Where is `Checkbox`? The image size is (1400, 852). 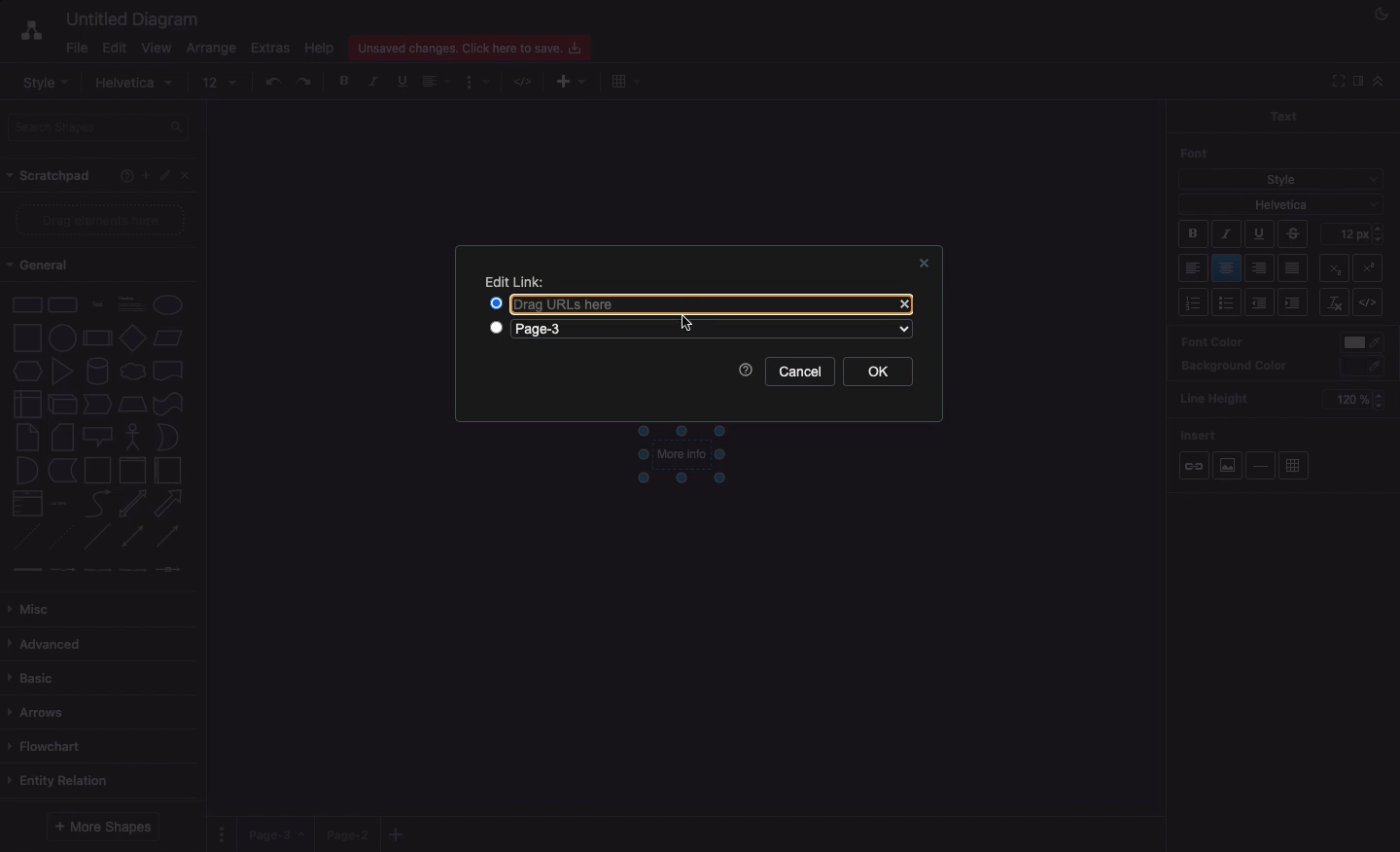 Checkbox is located at coordinates (498, 329).